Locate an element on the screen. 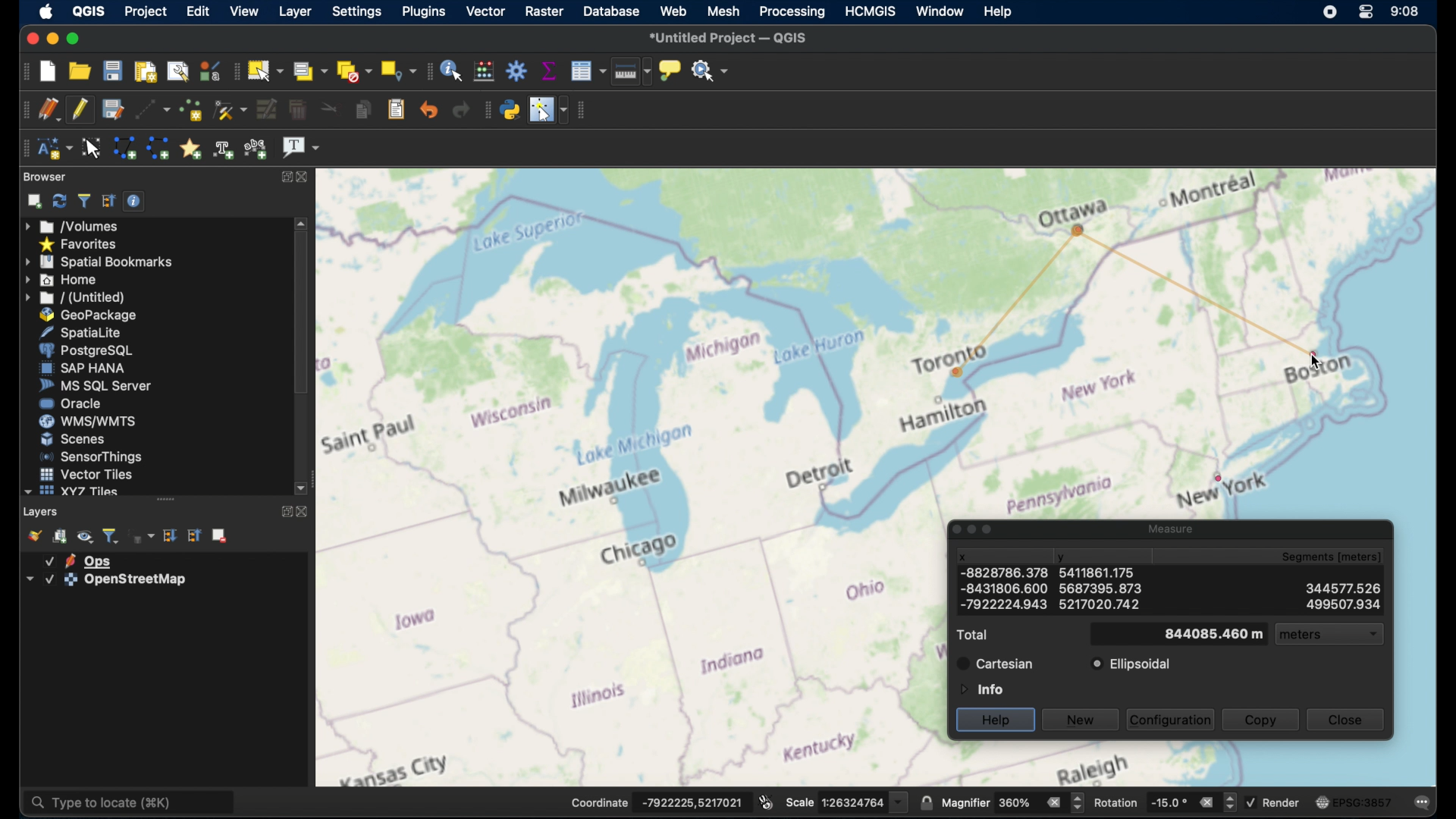 This screenshot has width=1456, height=819. processing is located at coordinates (792, 12).